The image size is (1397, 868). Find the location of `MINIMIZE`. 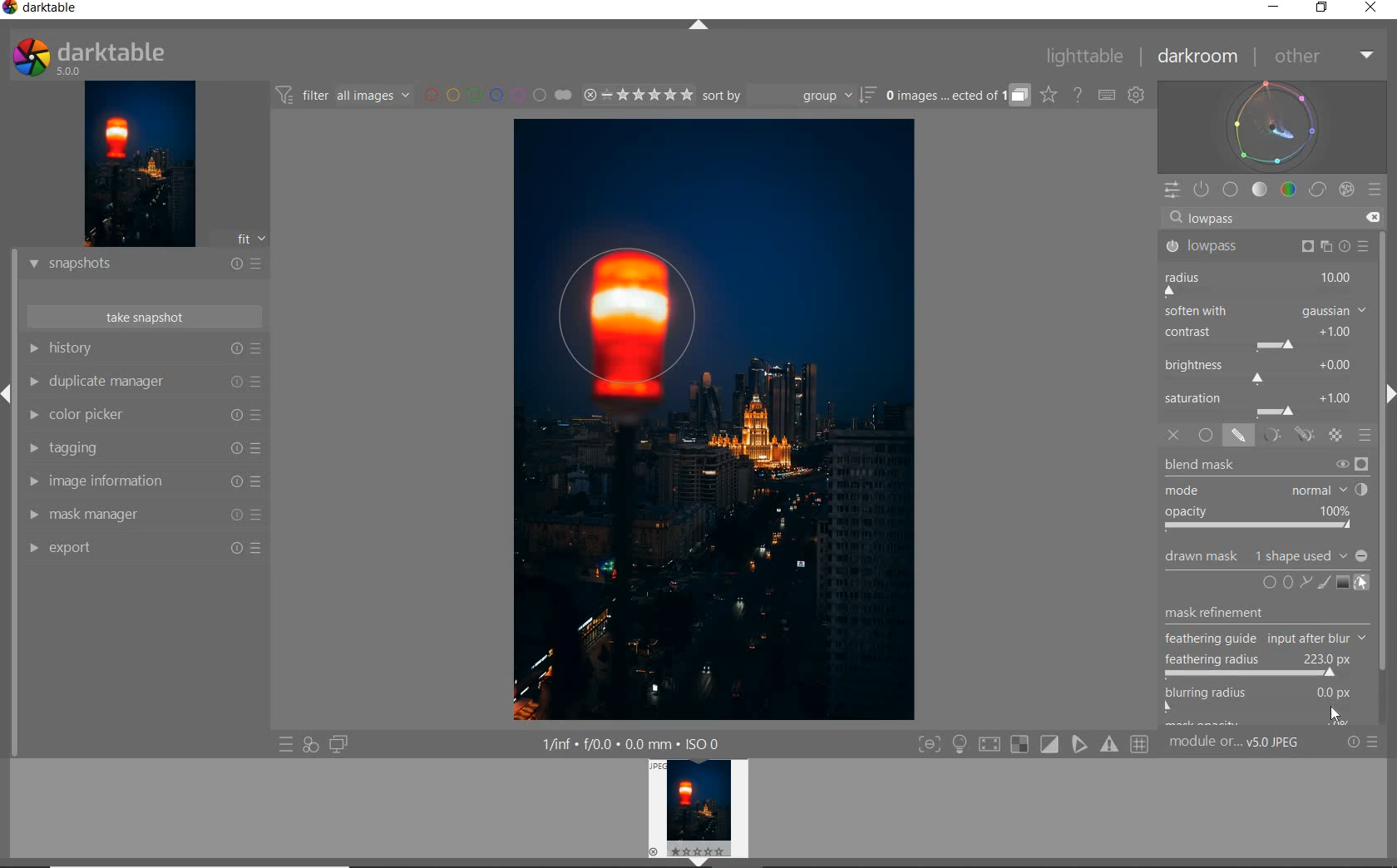

MINIMIZE is located at coordinates (1271, 8).